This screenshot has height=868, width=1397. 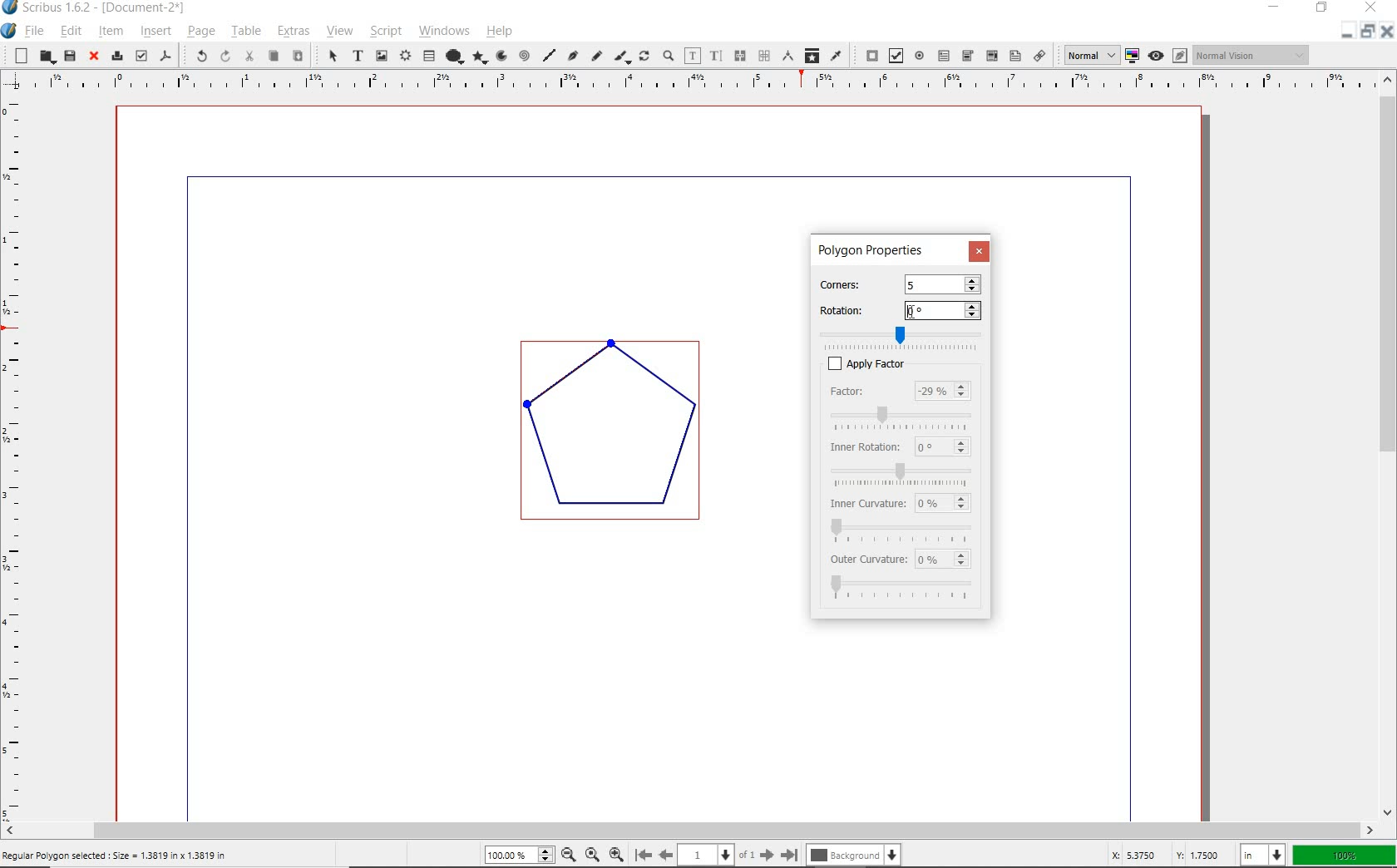 What do you see at coordinates (155, 31) in the screenshot?
I see `insert` at bounding box center [155, 31].